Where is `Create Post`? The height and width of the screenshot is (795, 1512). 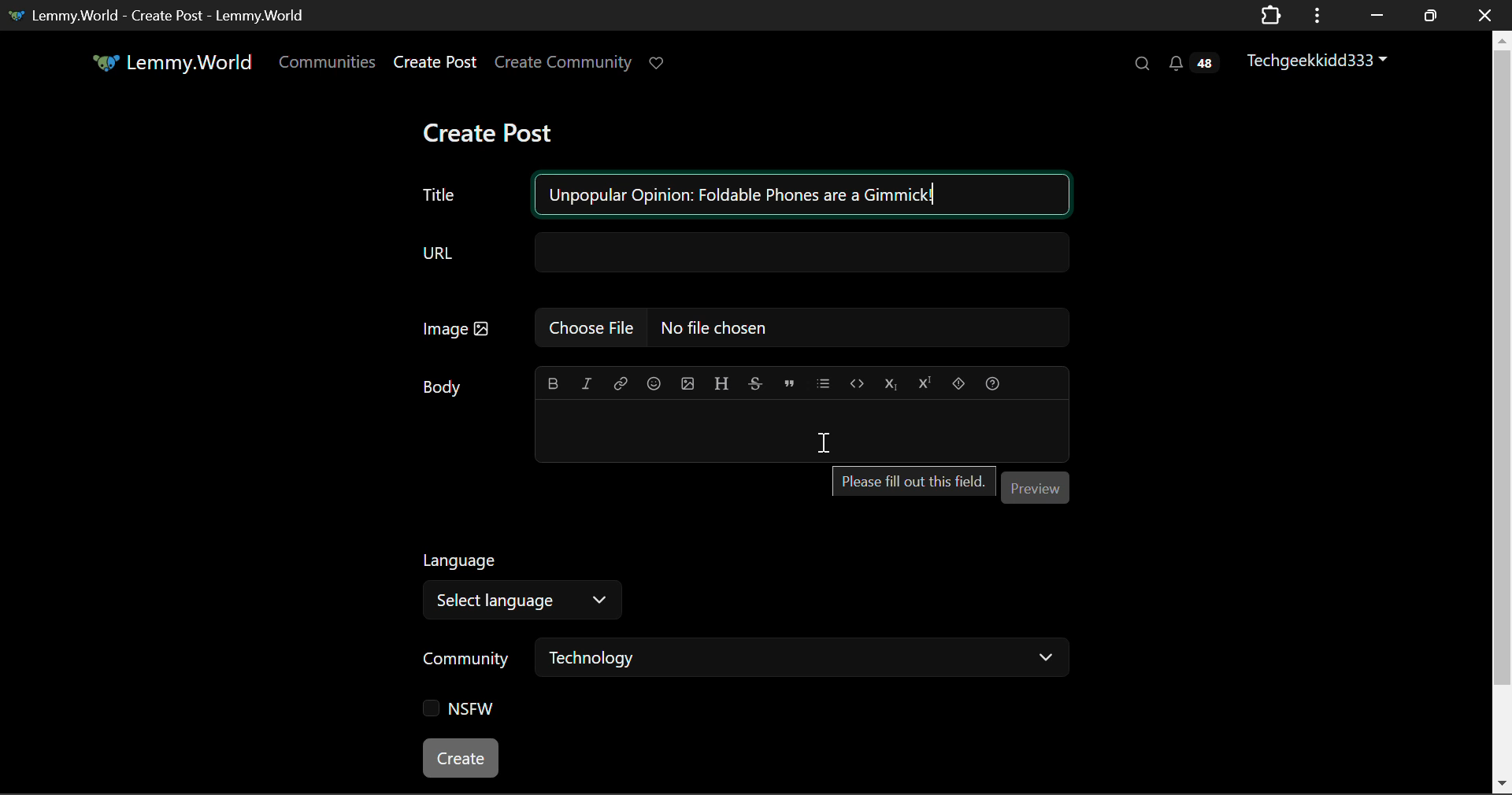 Create Post is located at coordinates (487, 135).